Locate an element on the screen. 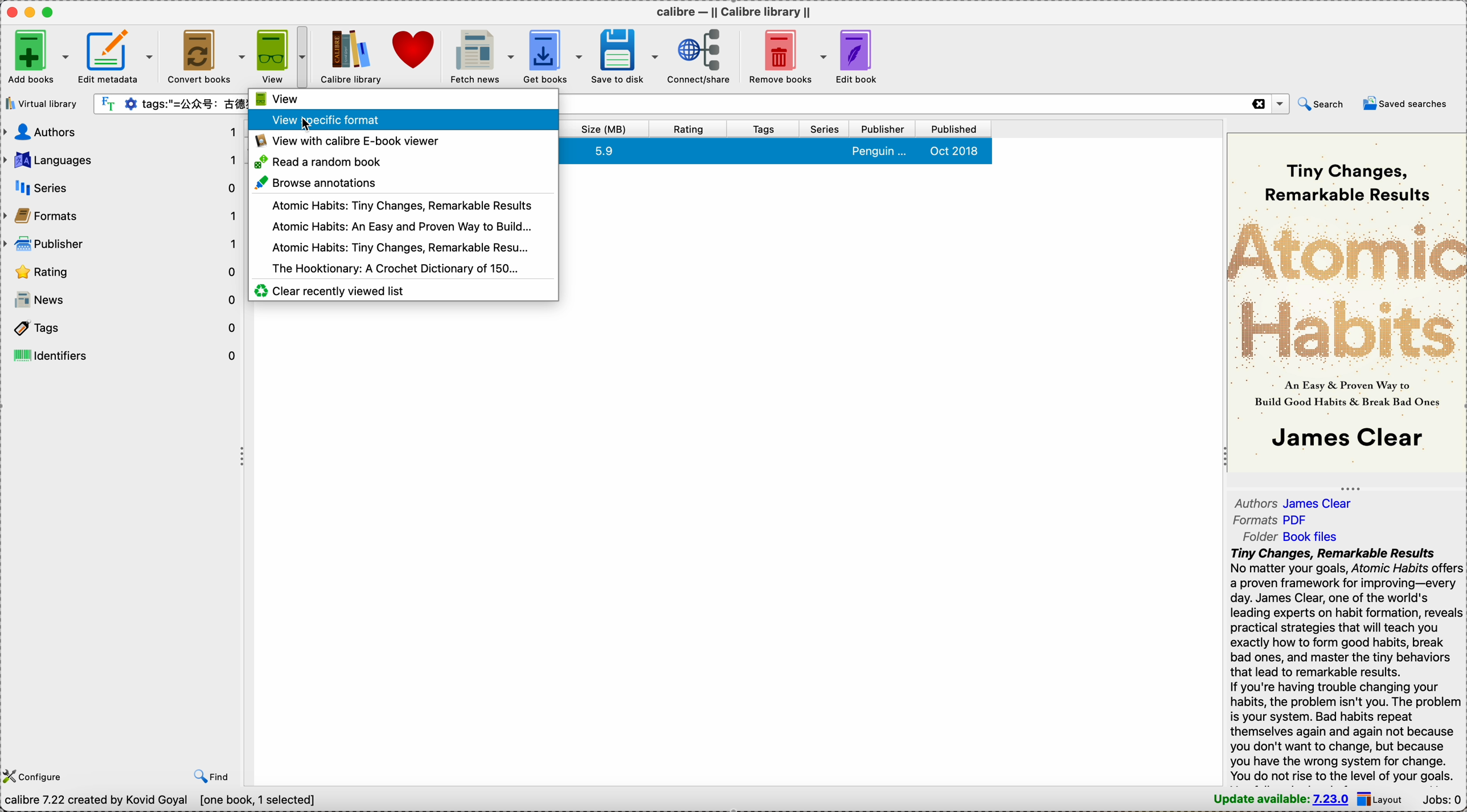 The image size is (1467, 812). authors is located at coordinates (1297, 503).